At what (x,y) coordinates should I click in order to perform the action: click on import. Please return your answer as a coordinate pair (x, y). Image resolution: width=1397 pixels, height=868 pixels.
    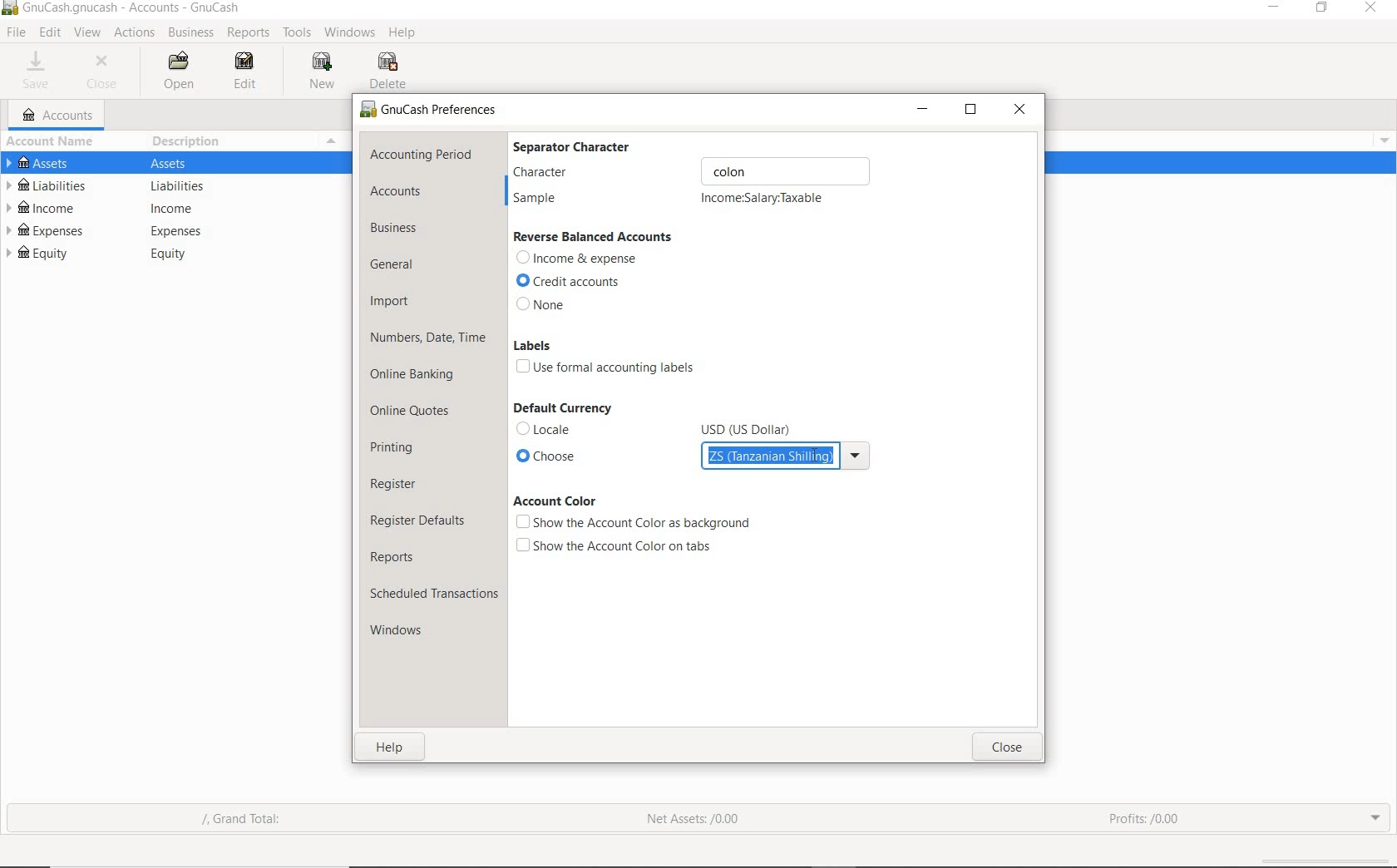
    Looking at the image, I should click on (391, 303).